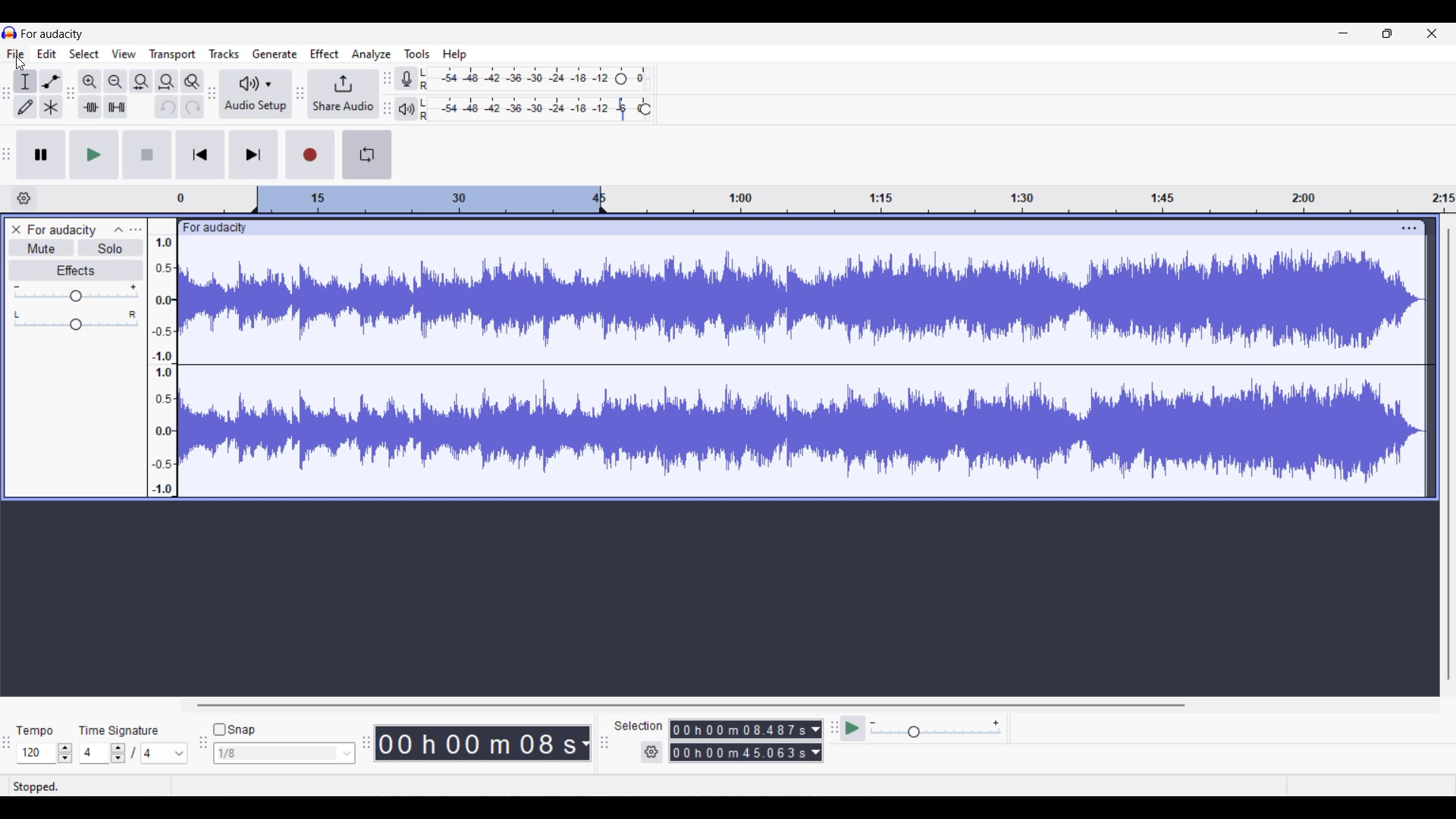  What do you see at coordinates (224, 54) in the screenshot?
I see `Tracks menu` at bounding box center [224, 54].